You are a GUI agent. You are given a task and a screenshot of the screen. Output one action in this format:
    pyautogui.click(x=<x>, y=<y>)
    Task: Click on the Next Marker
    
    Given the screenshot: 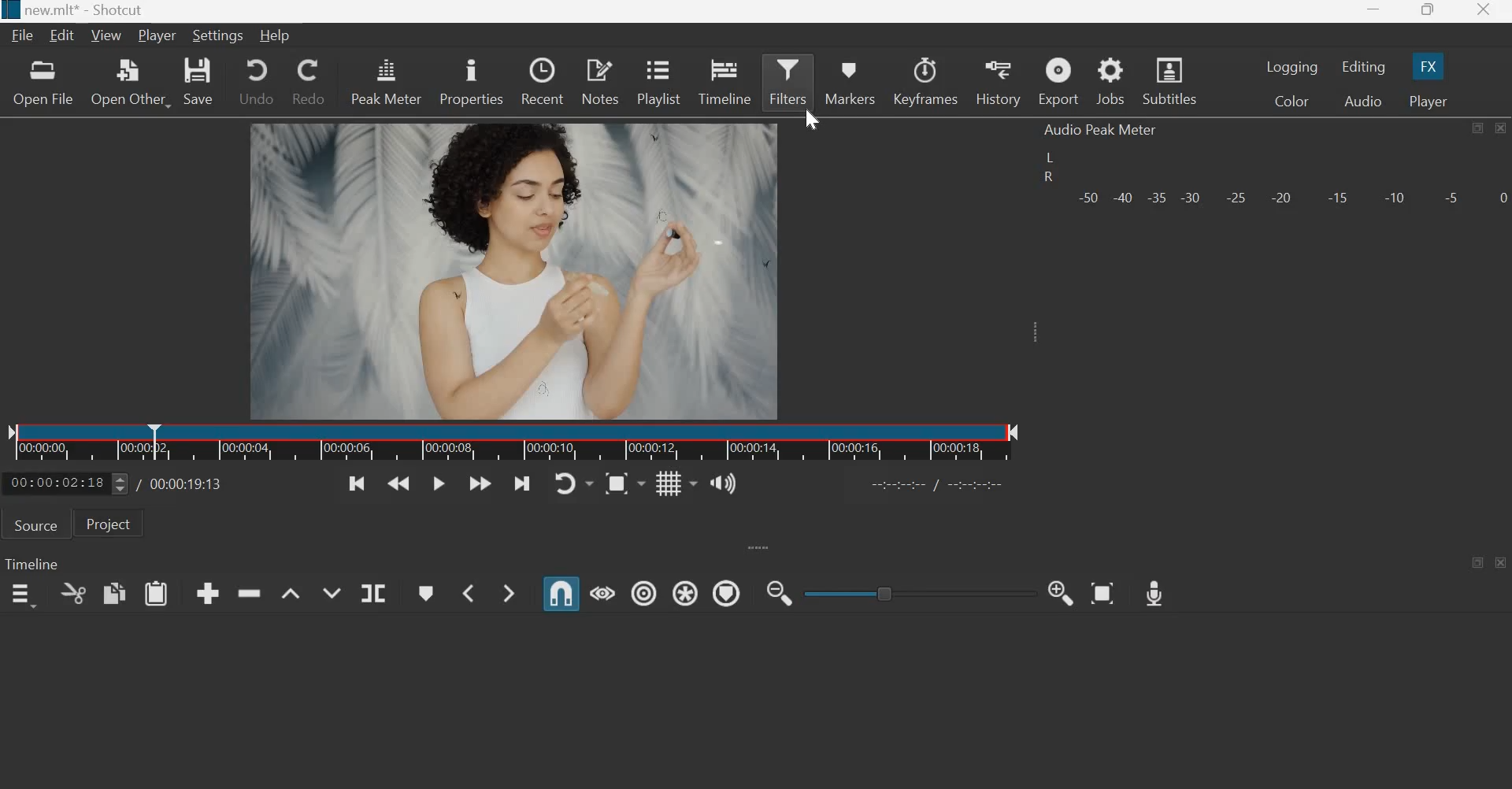 What is the action you would take?
    pyautogui.click(x=509, y=593)
    